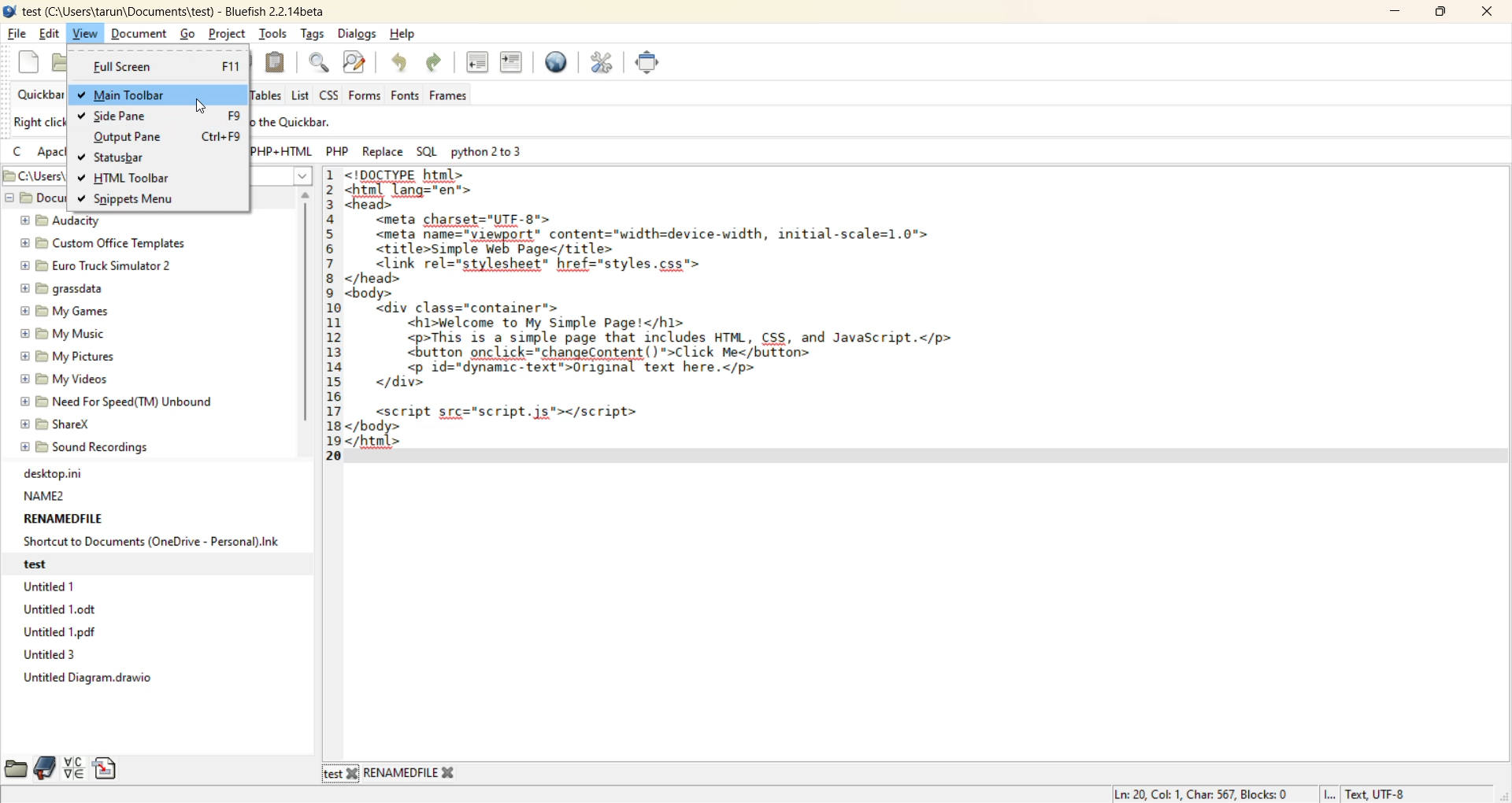 This screenshot has width=1512, height=803. Describe the element at coordinates (92, 267) in the screenshot. I see `[2 Euro Truck Simulator 2` at that location.